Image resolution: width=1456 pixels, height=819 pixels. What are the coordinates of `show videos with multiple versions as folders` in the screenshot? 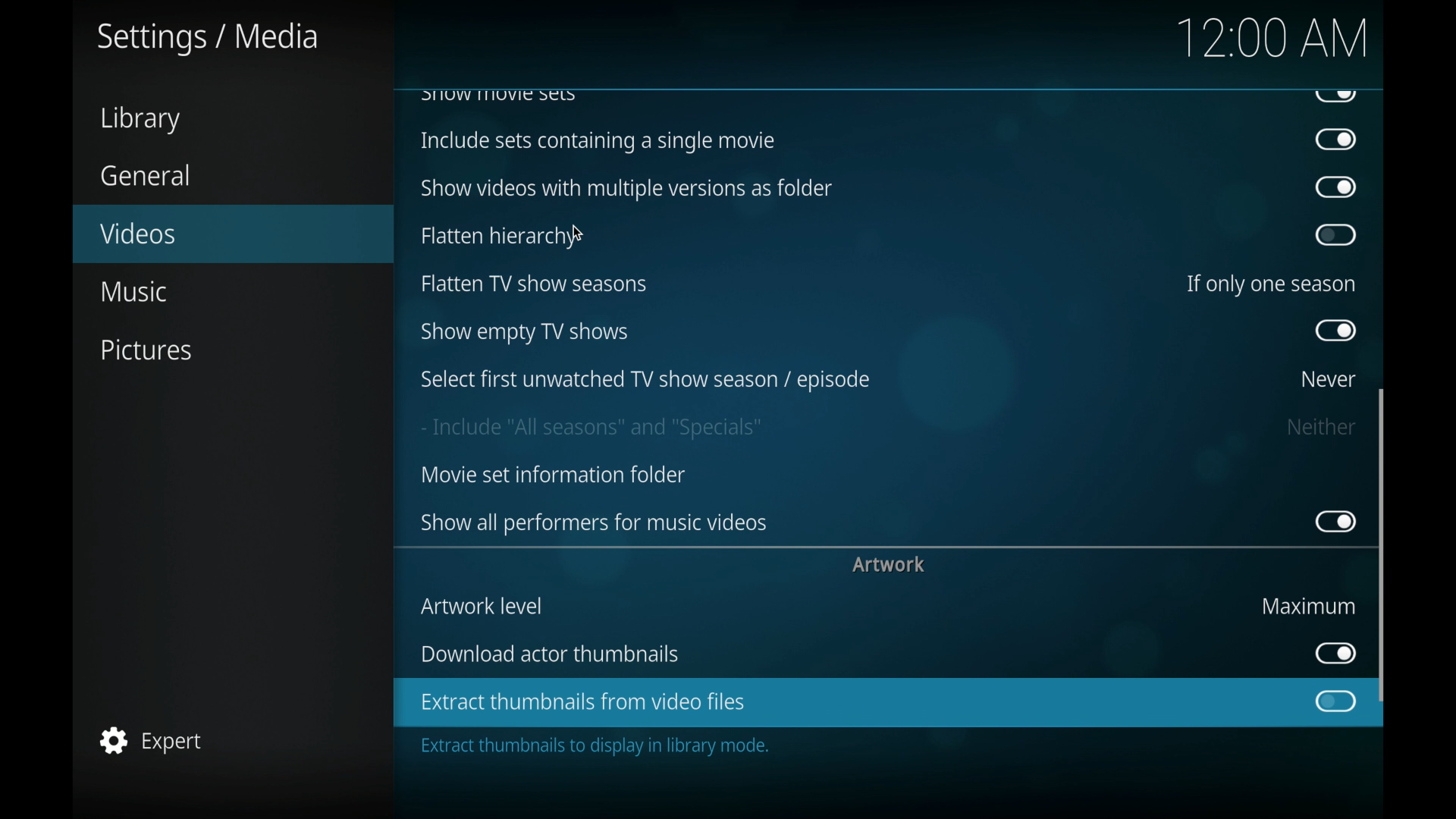 It's located at (627, 190).